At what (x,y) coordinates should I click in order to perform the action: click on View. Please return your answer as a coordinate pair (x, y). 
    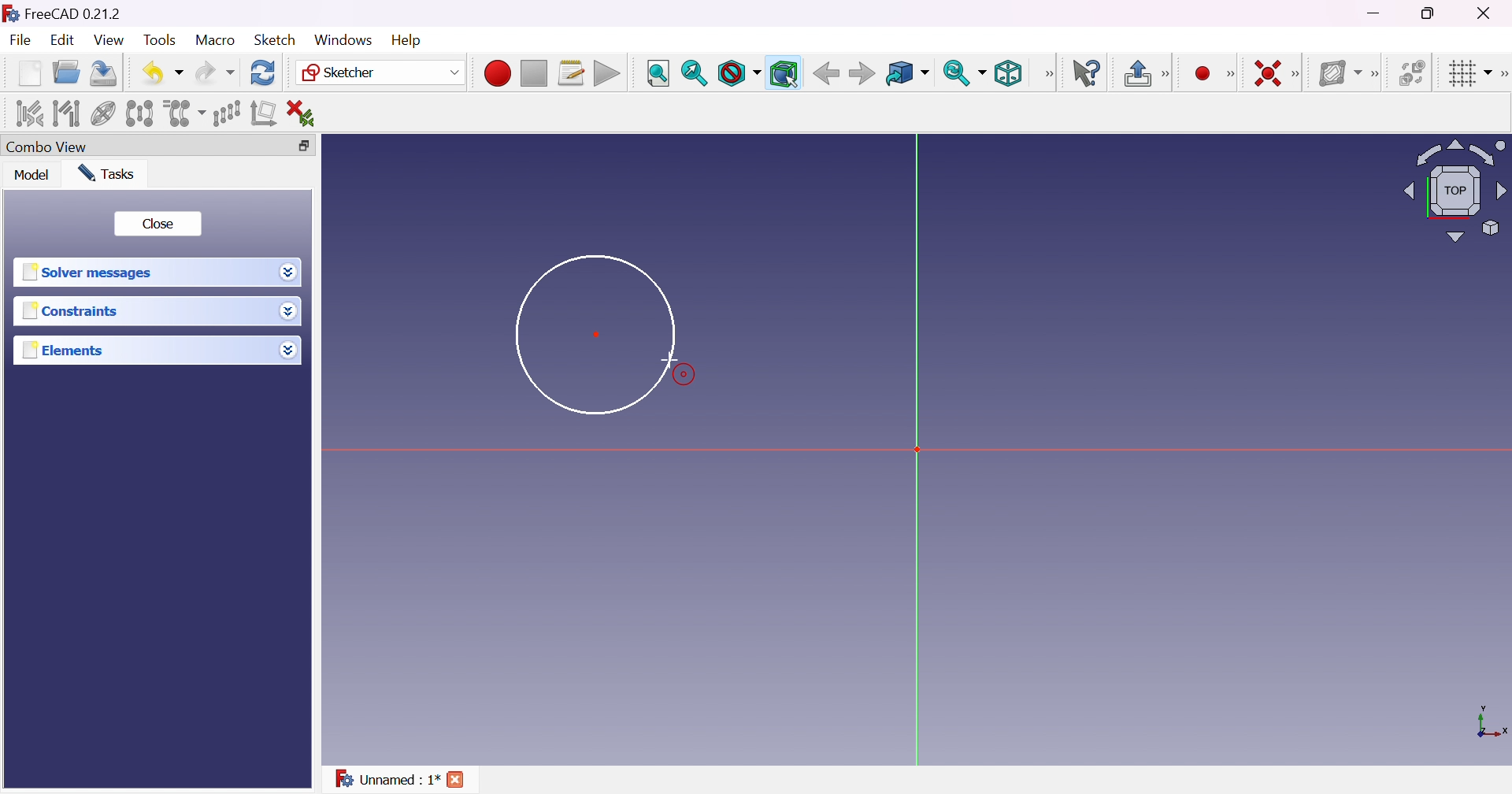
    Looking at the image, I should click on (108, 39).